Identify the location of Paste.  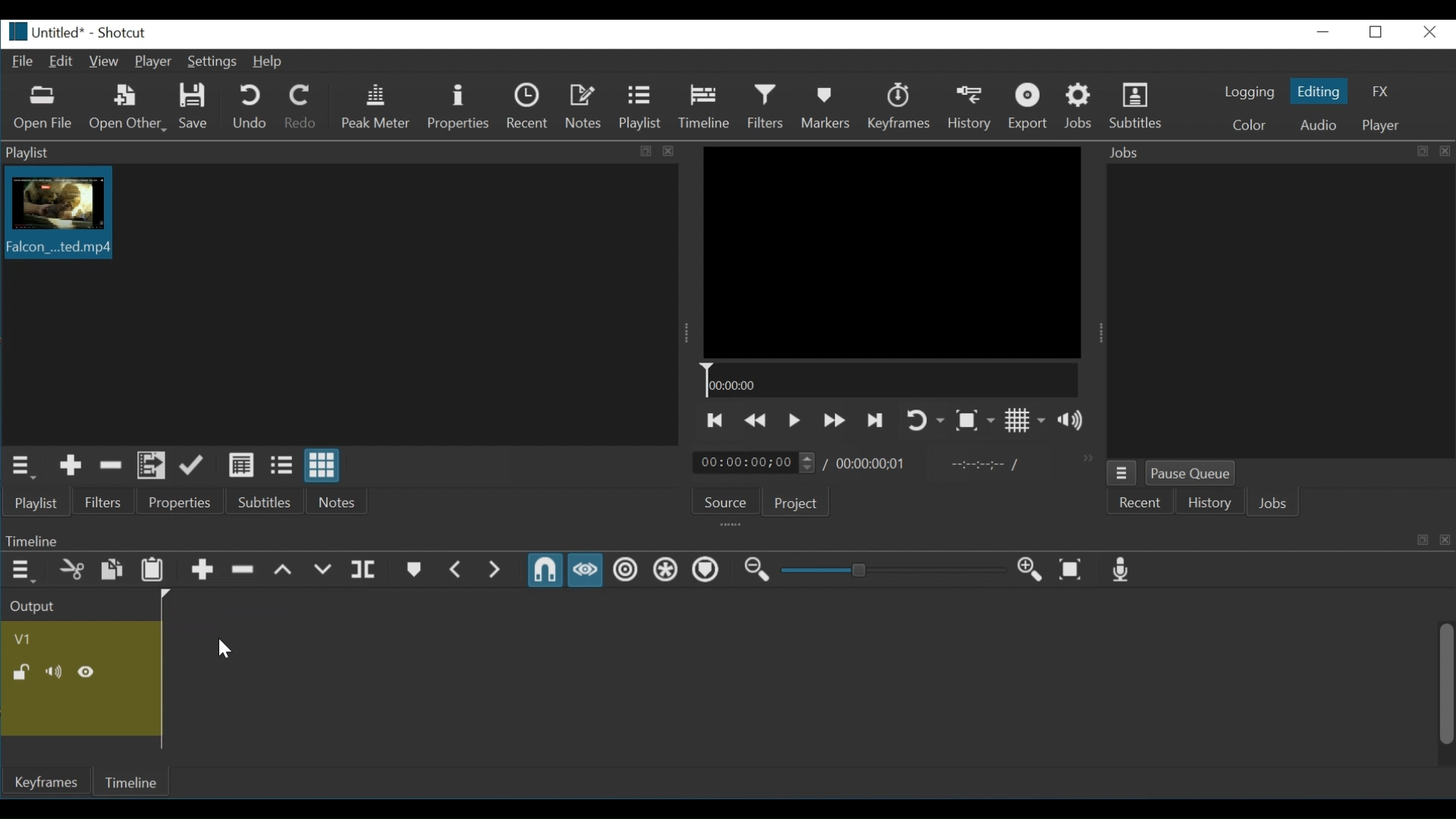
(152, 570).